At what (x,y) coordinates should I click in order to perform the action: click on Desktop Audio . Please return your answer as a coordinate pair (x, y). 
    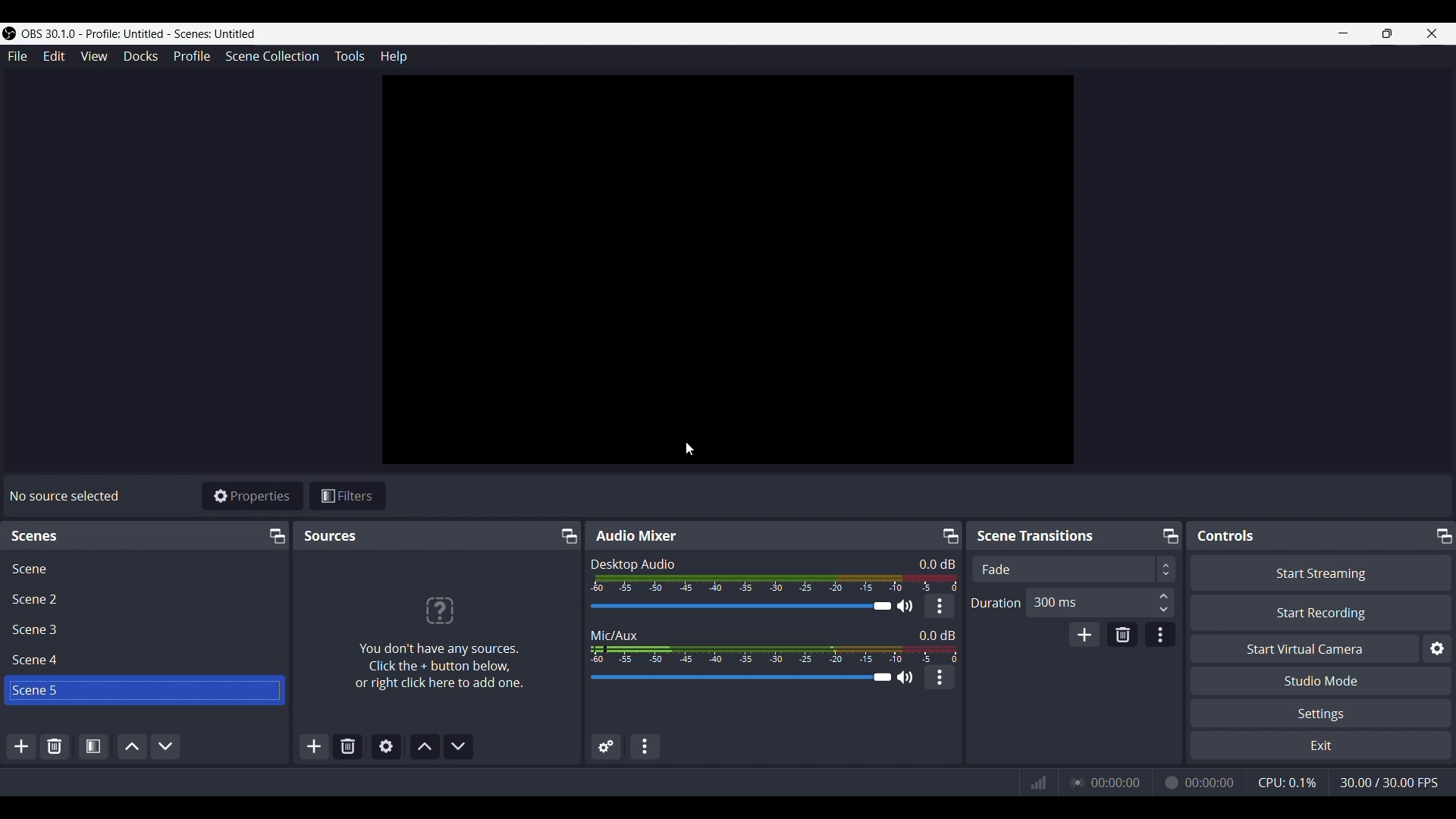
    Looking at the image, I should click on (632, 563).